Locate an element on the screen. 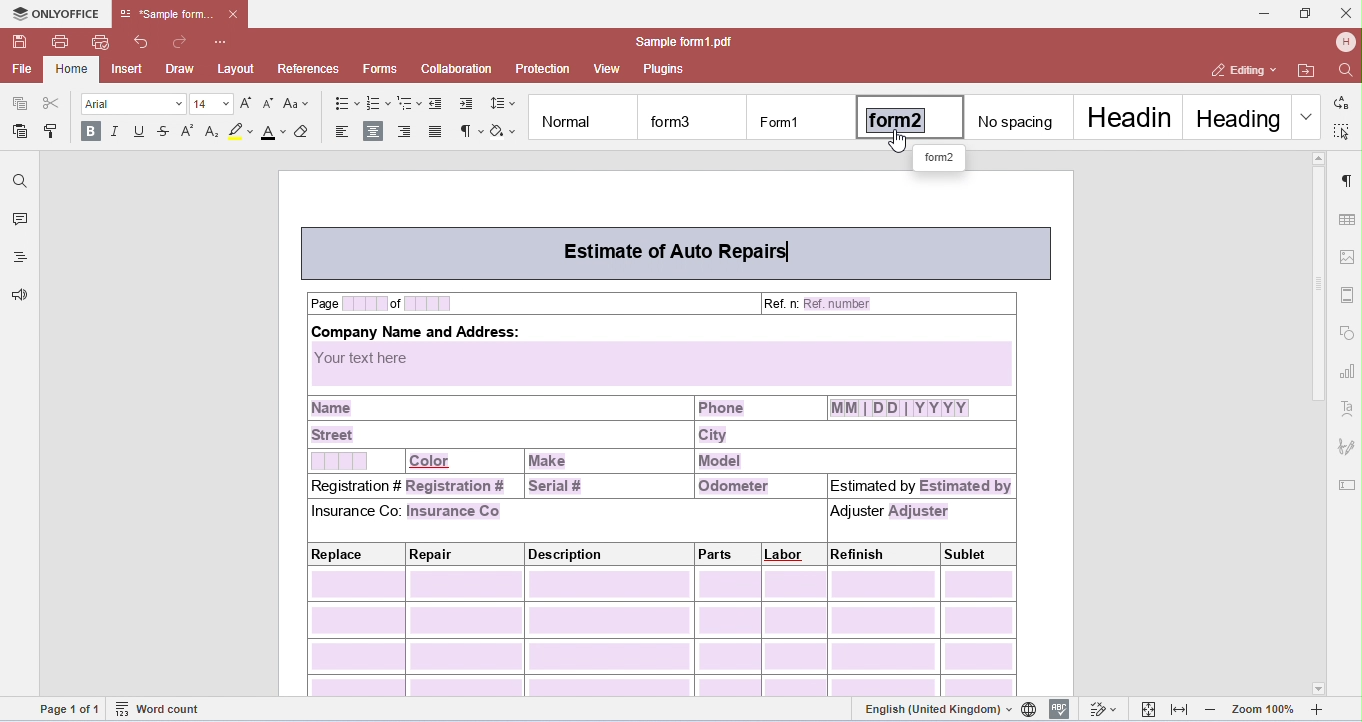 Image resolution: width=1362 pixels, height=722 pixels. fit to width is located at coordinates (1181, 710).